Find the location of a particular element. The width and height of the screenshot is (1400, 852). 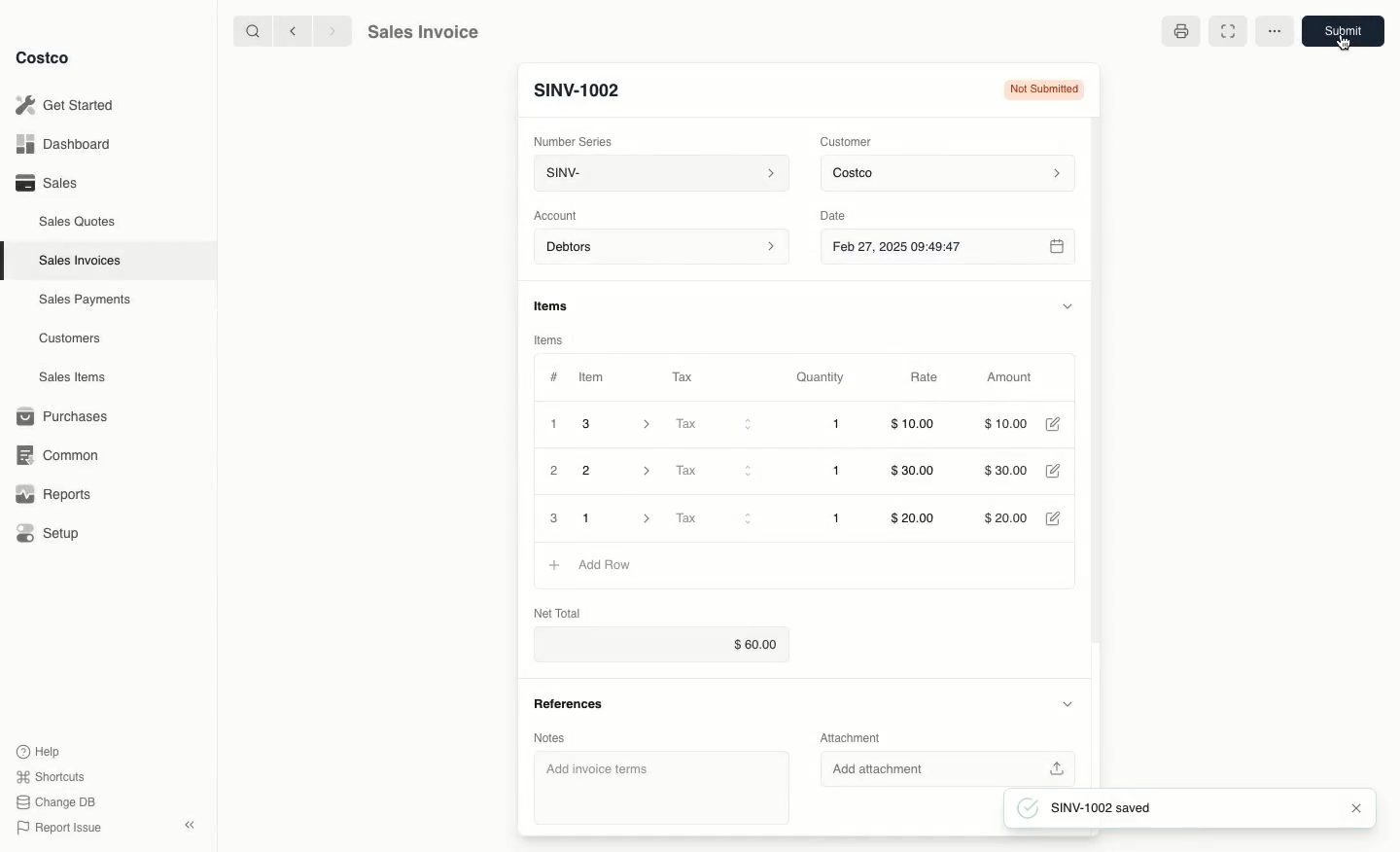

search is located at coordinates (249, 30).